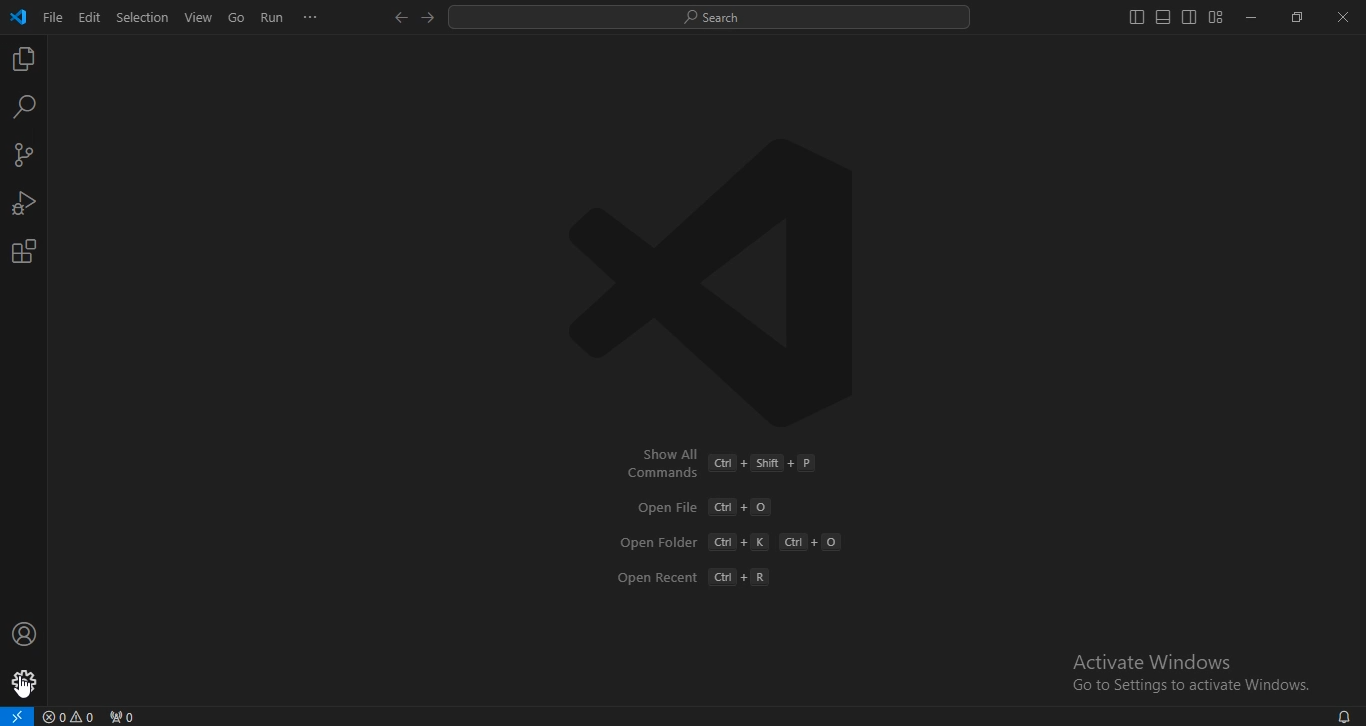 The image size is (1366, 726). Describe the element at coordinates (29, 688) in the screenshot. I see `cursor` at that location.